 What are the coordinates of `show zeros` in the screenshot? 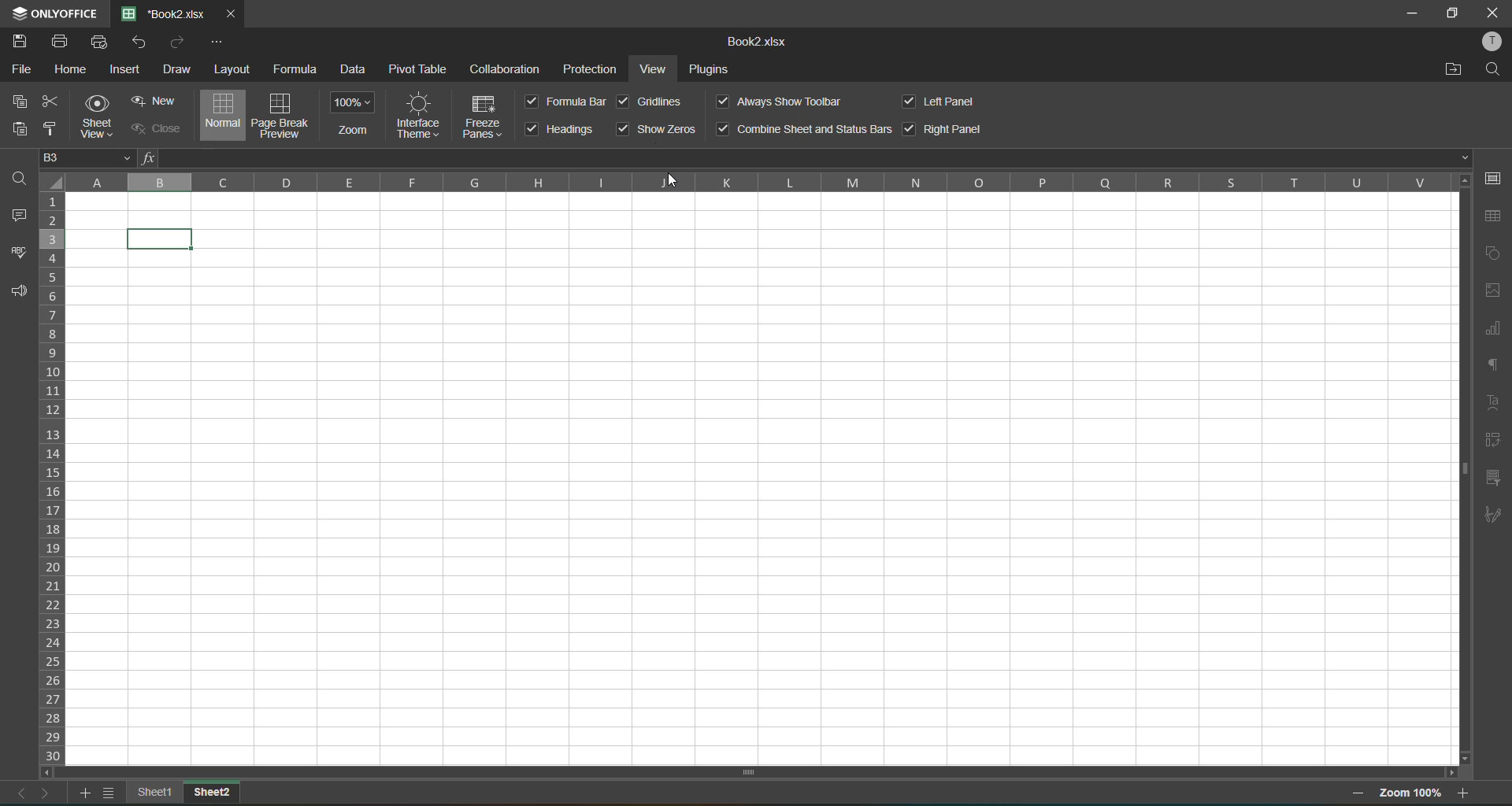 It's located at (657, 129).